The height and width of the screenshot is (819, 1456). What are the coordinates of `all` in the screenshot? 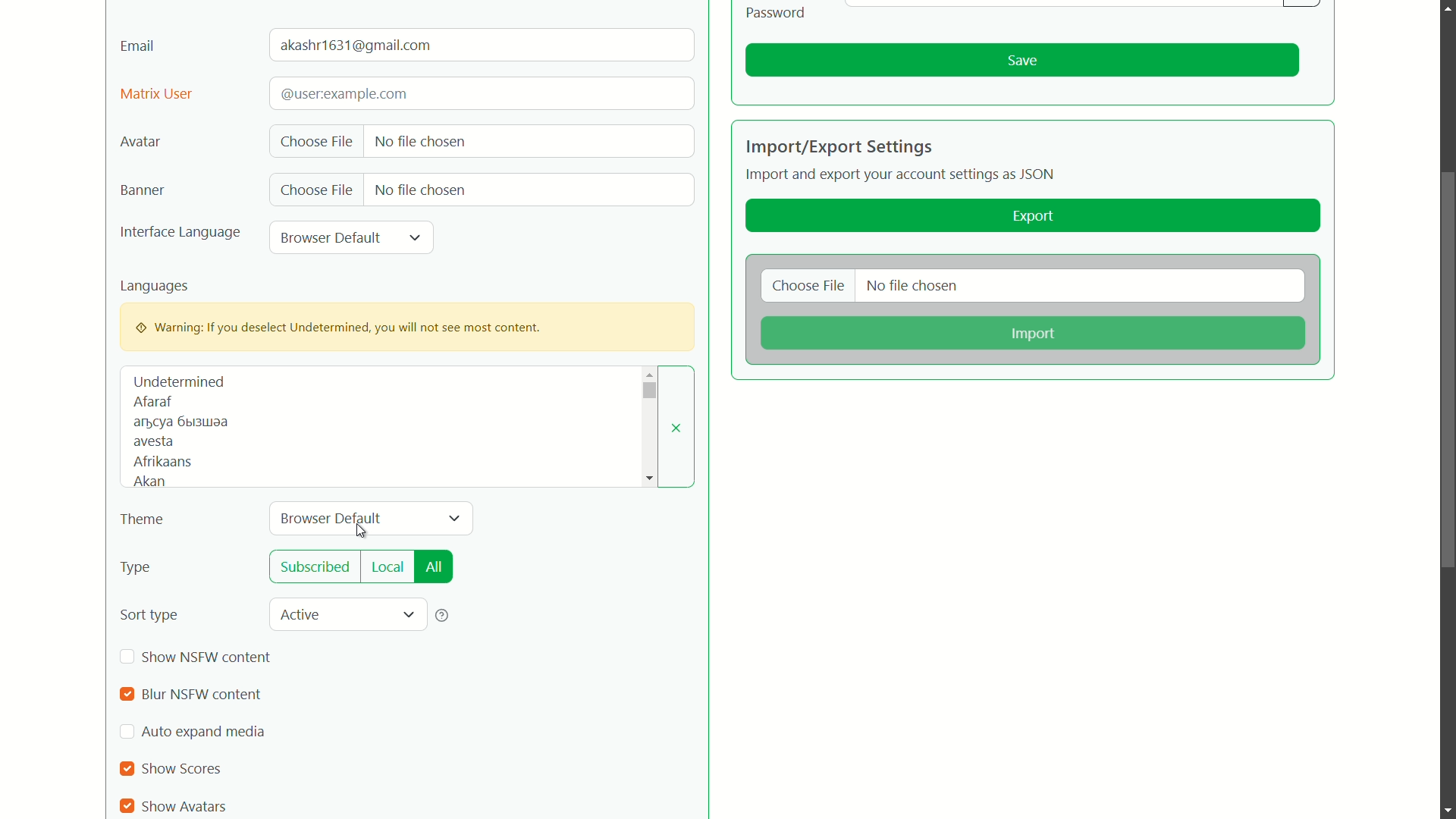 It's located at (434, 567).